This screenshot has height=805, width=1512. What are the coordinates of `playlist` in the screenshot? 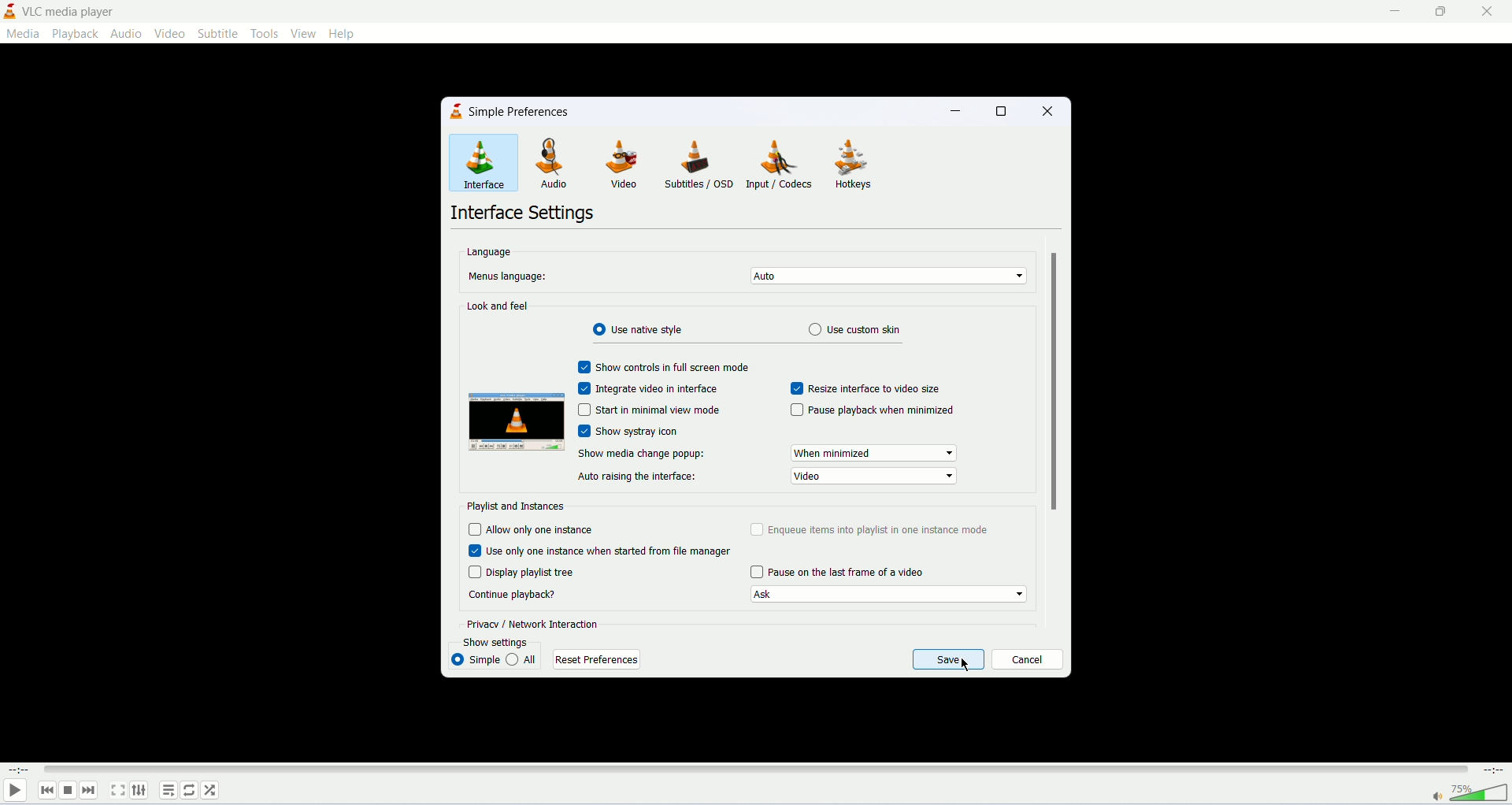 It's located at (169, 790).